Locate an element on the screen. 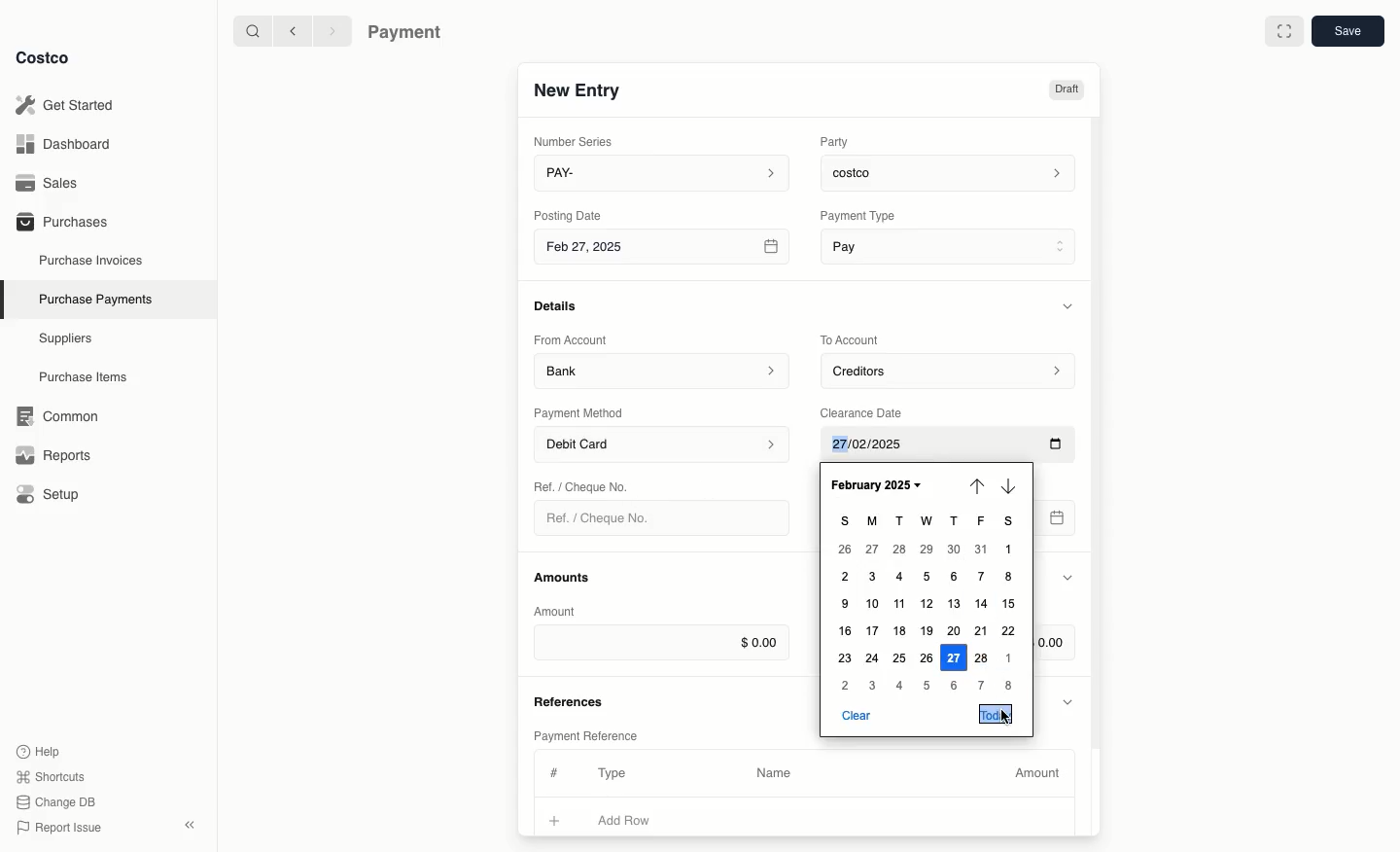  $0.00 is located at coordinates (661, 642).